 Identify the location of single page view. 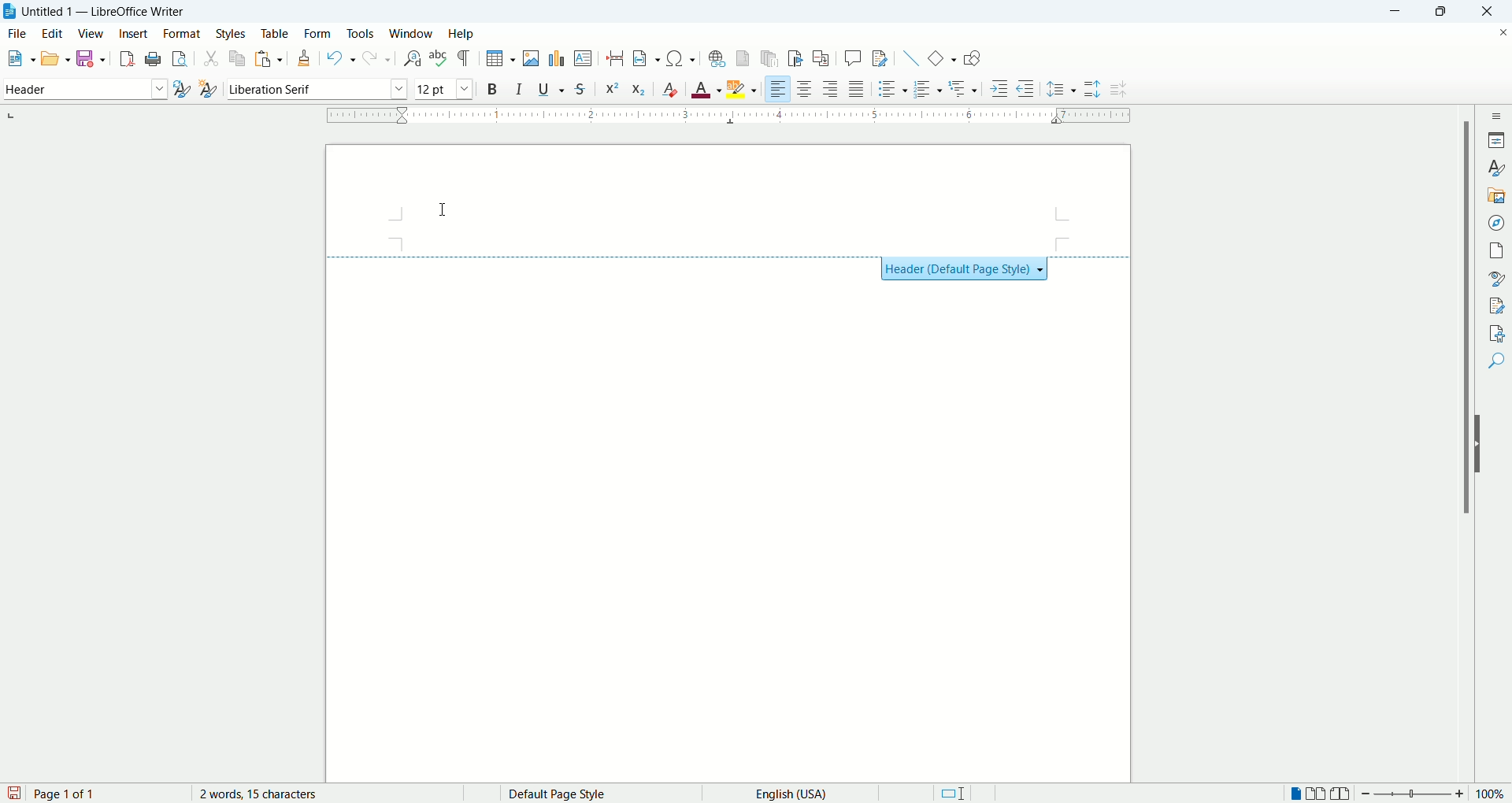
(1295, 794).